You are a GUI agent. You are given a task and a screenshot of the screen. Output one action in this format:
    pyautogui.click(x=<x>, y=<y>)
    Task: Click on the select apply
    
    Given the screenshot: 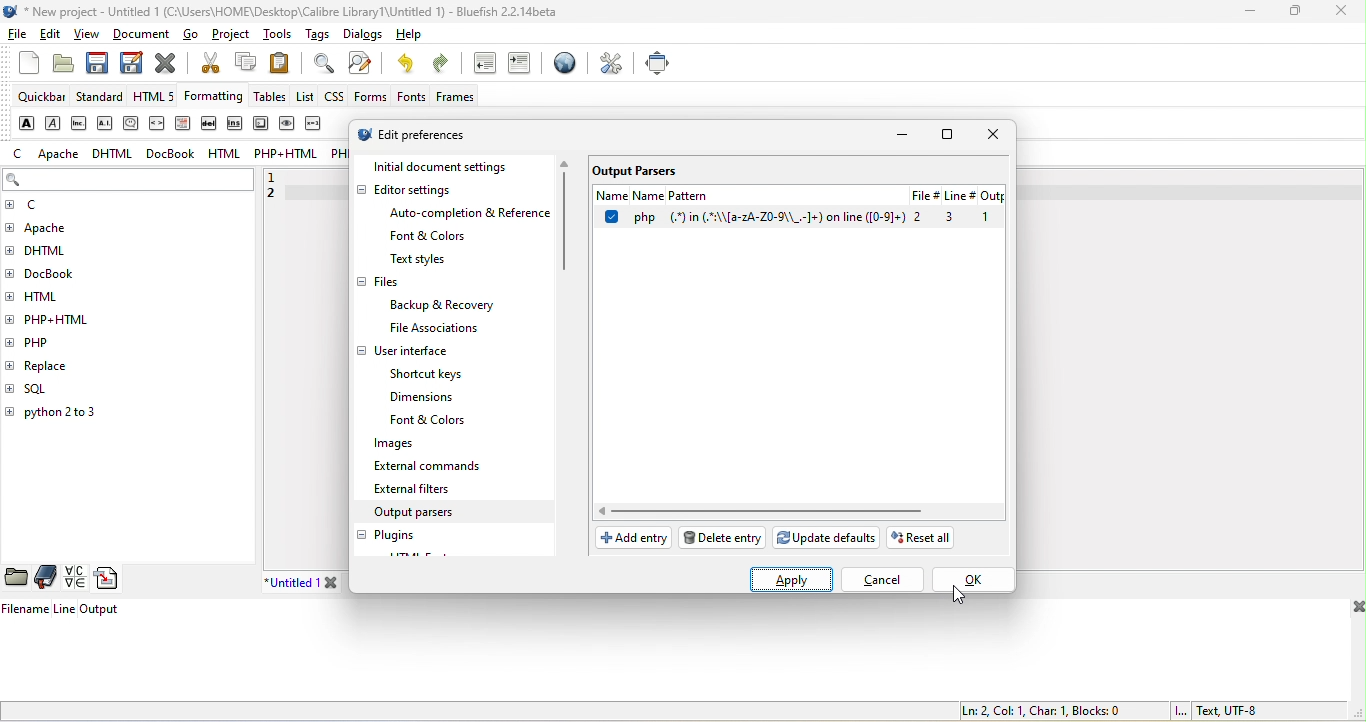 What is the action you would take?
    pyautogui.click(x=794, y=583)
    